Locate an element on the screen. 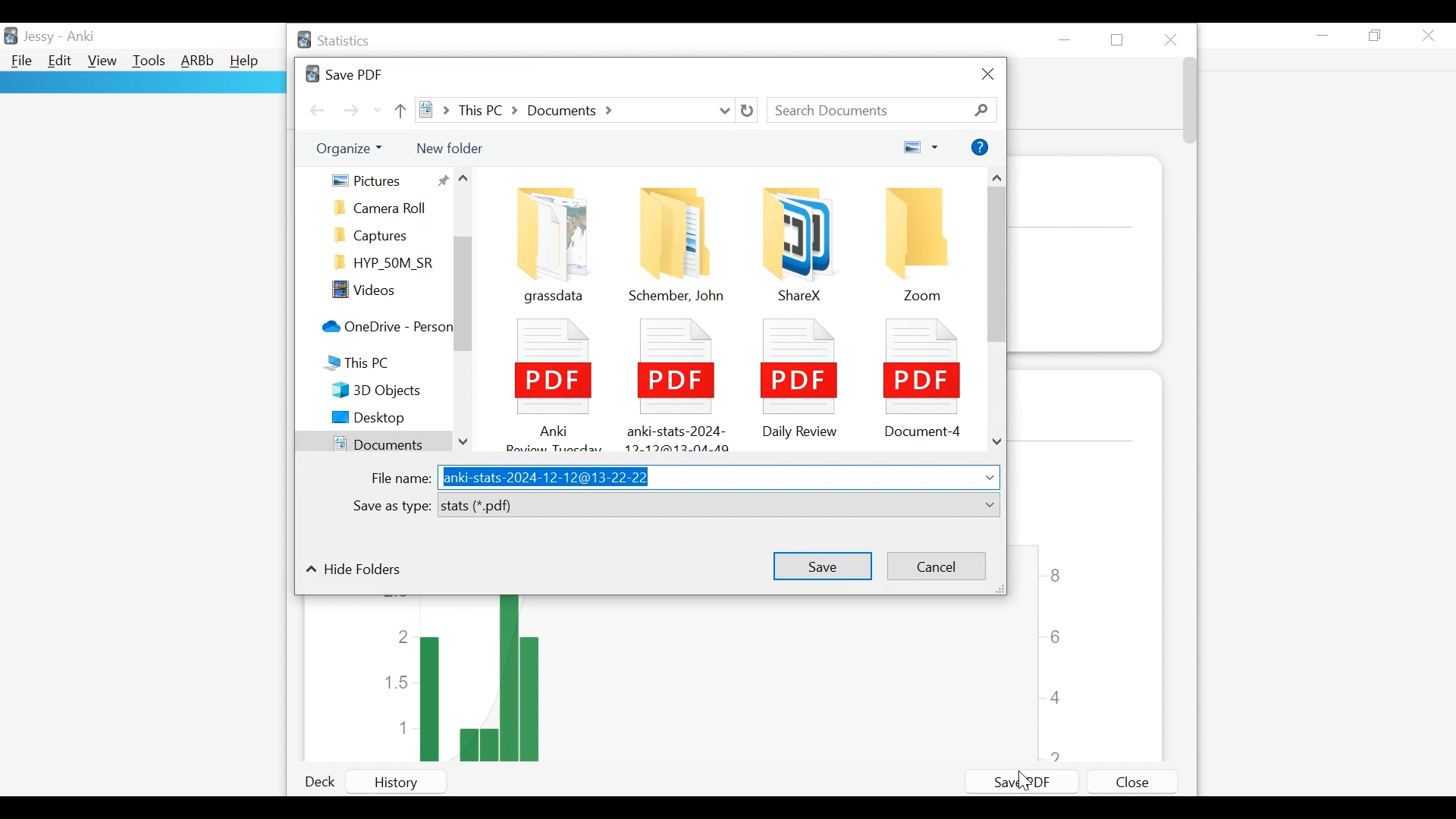  3D Objects is located at coordinates (388, 391).